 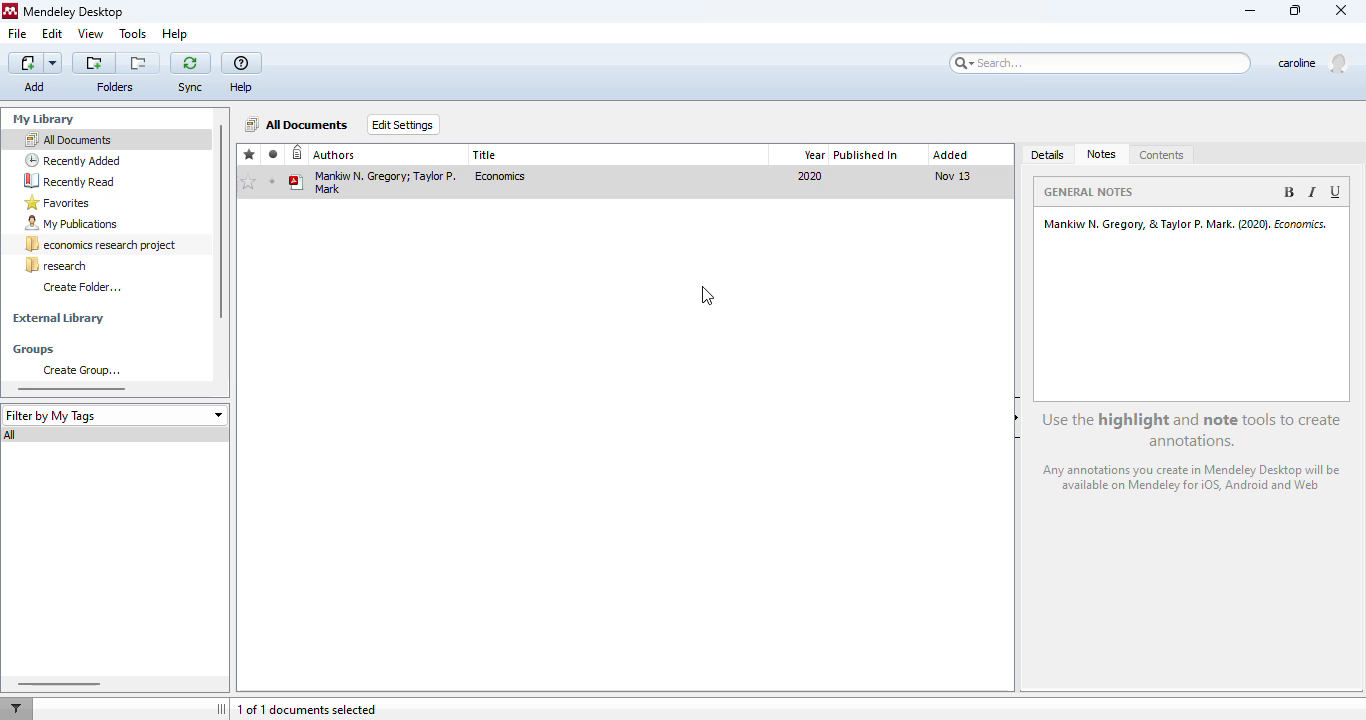 What do you see at coordinates (810, 176) in the screenshot?
I see `2020` at bounding box center [810, 176].